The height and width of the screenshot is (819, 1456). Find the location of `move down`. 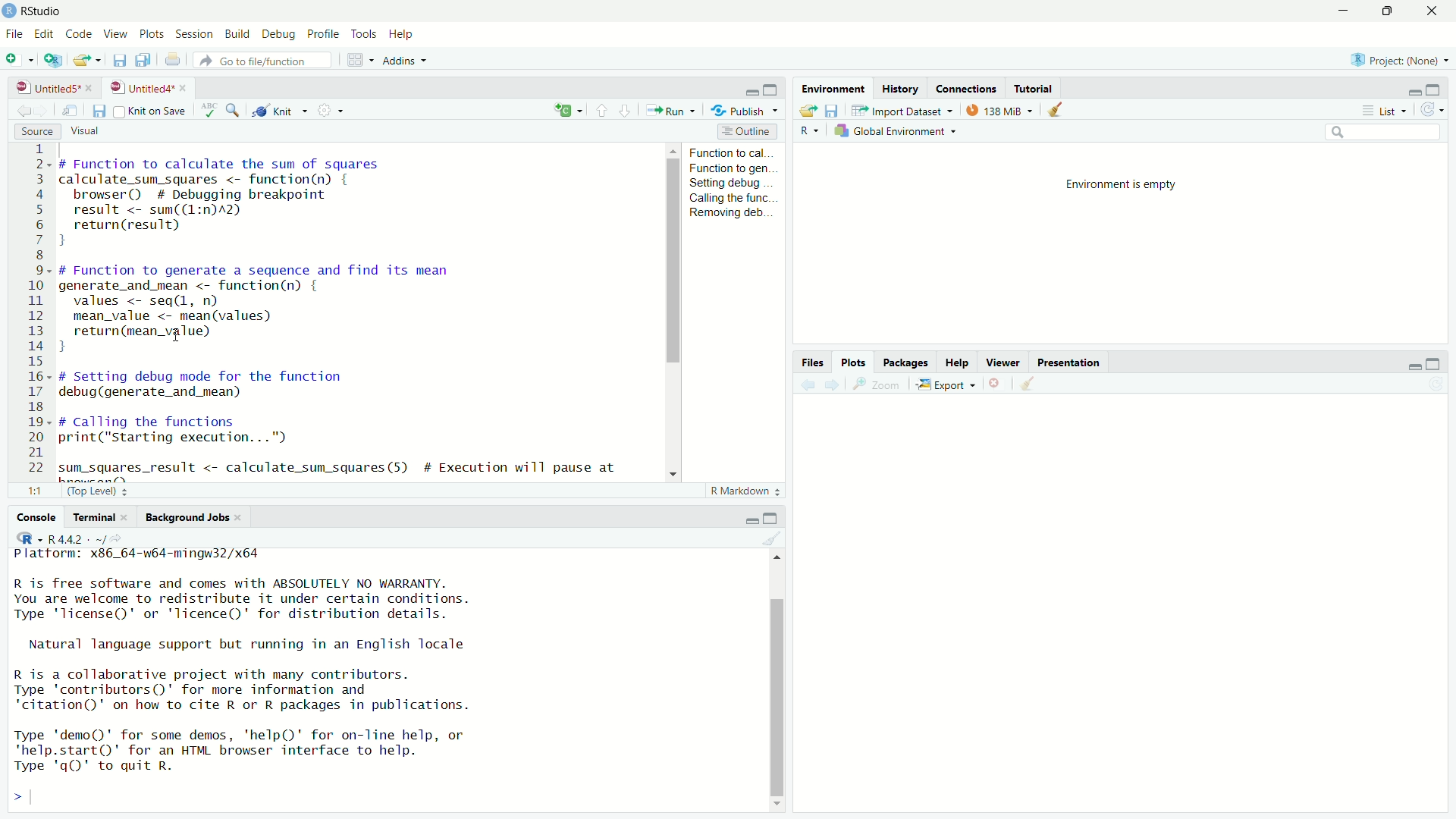

move down is located at coordinates (672, 472).